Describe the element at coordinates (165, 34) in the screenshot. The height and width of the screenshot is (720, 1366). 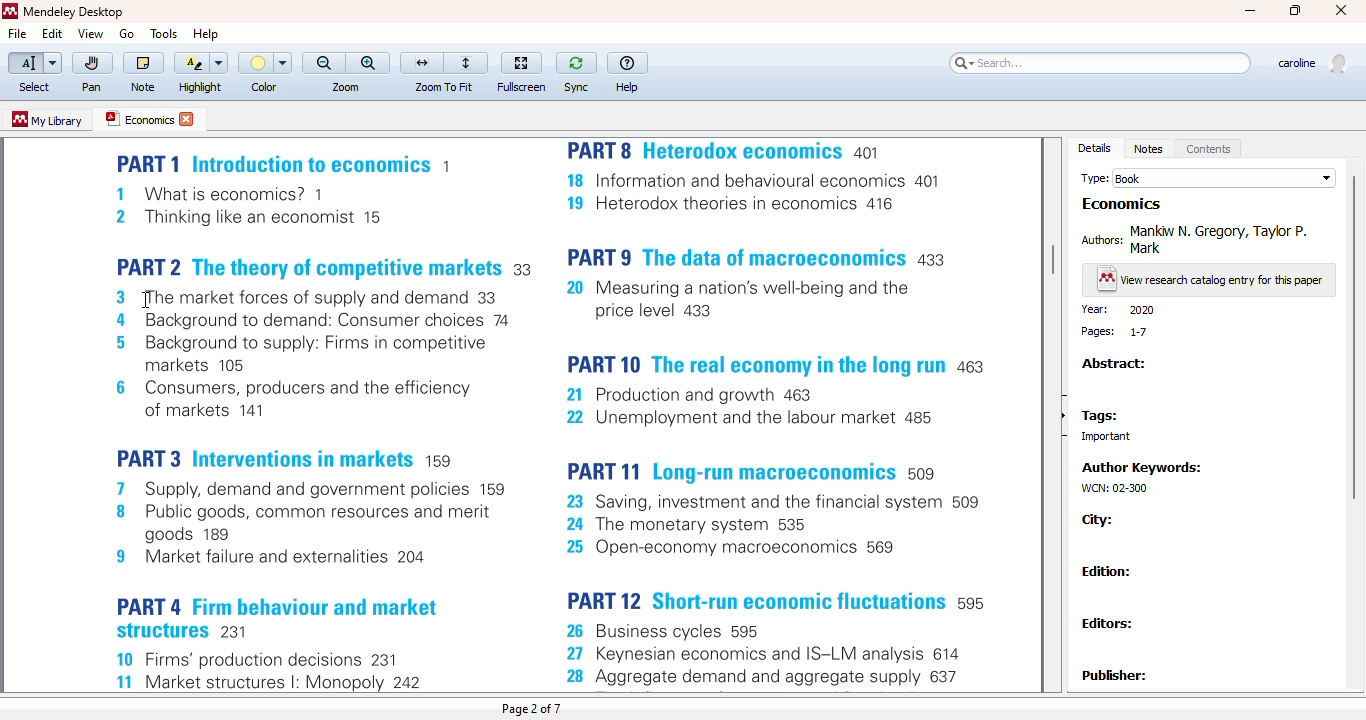
I see `tools` at that location.